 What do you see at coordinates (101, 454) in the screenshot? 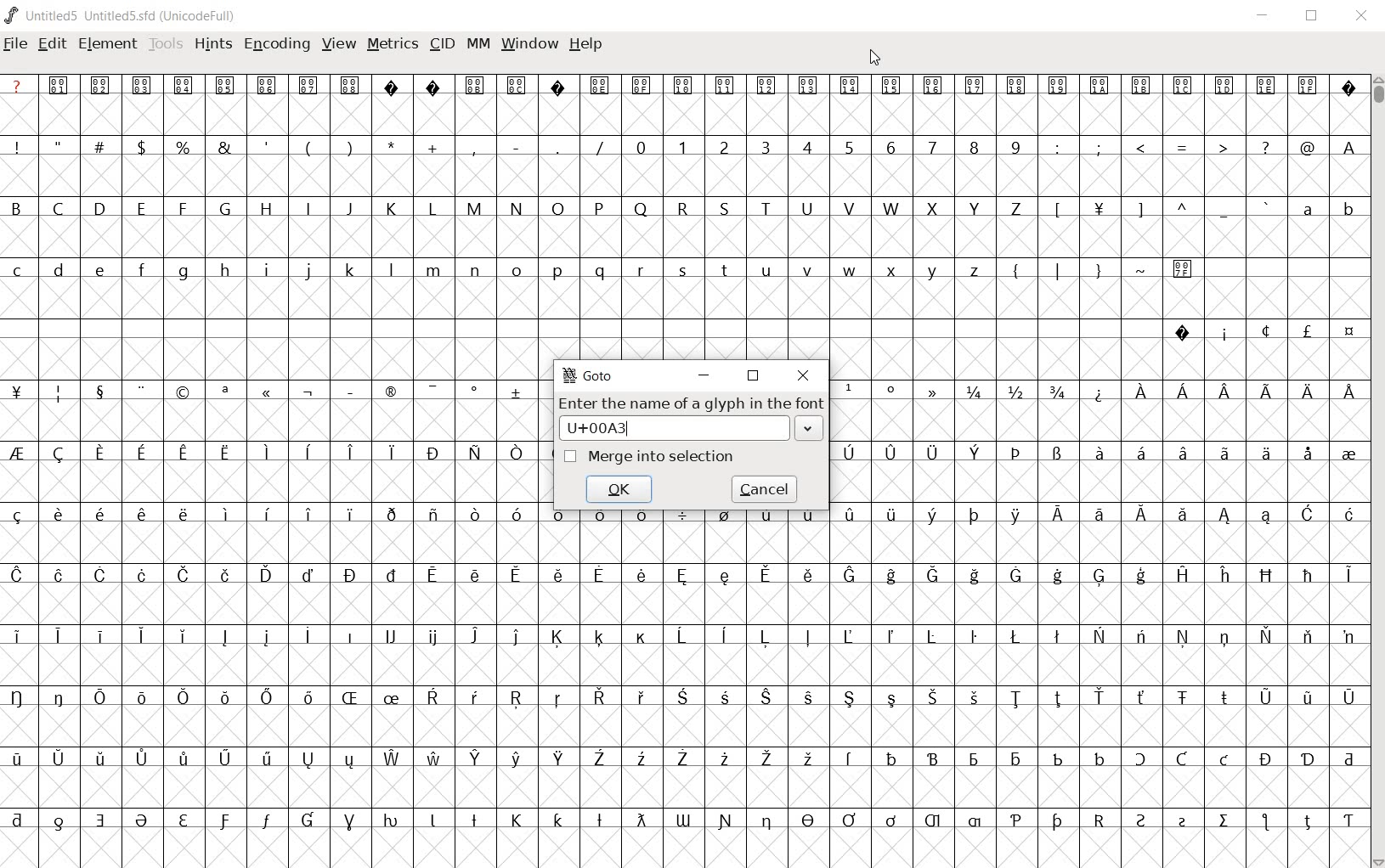
I see `Symbol` at bounding box center [101, 454].